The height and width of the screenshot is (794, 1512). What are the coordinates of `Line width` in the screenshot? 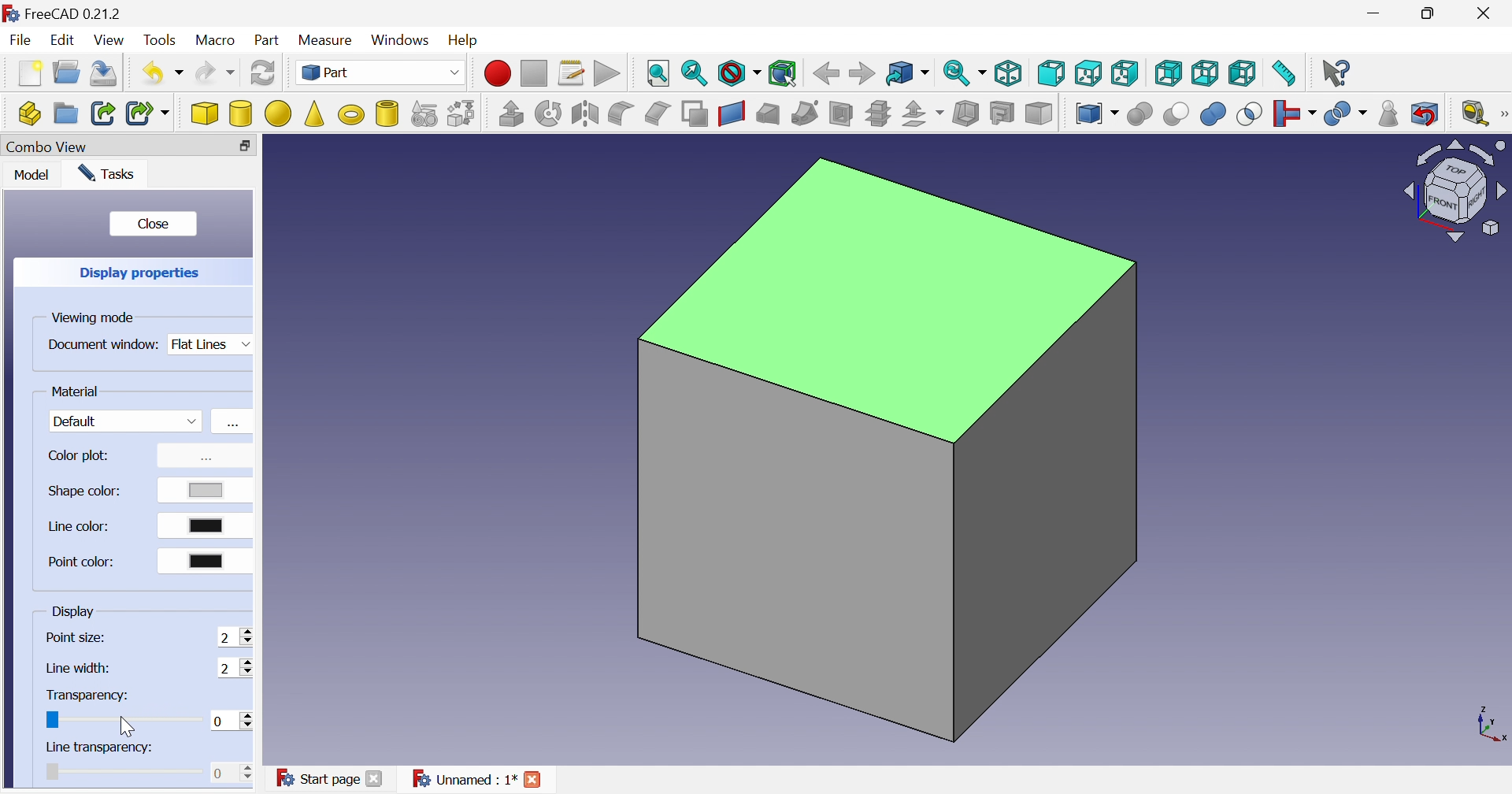 It's located at (80, 667).